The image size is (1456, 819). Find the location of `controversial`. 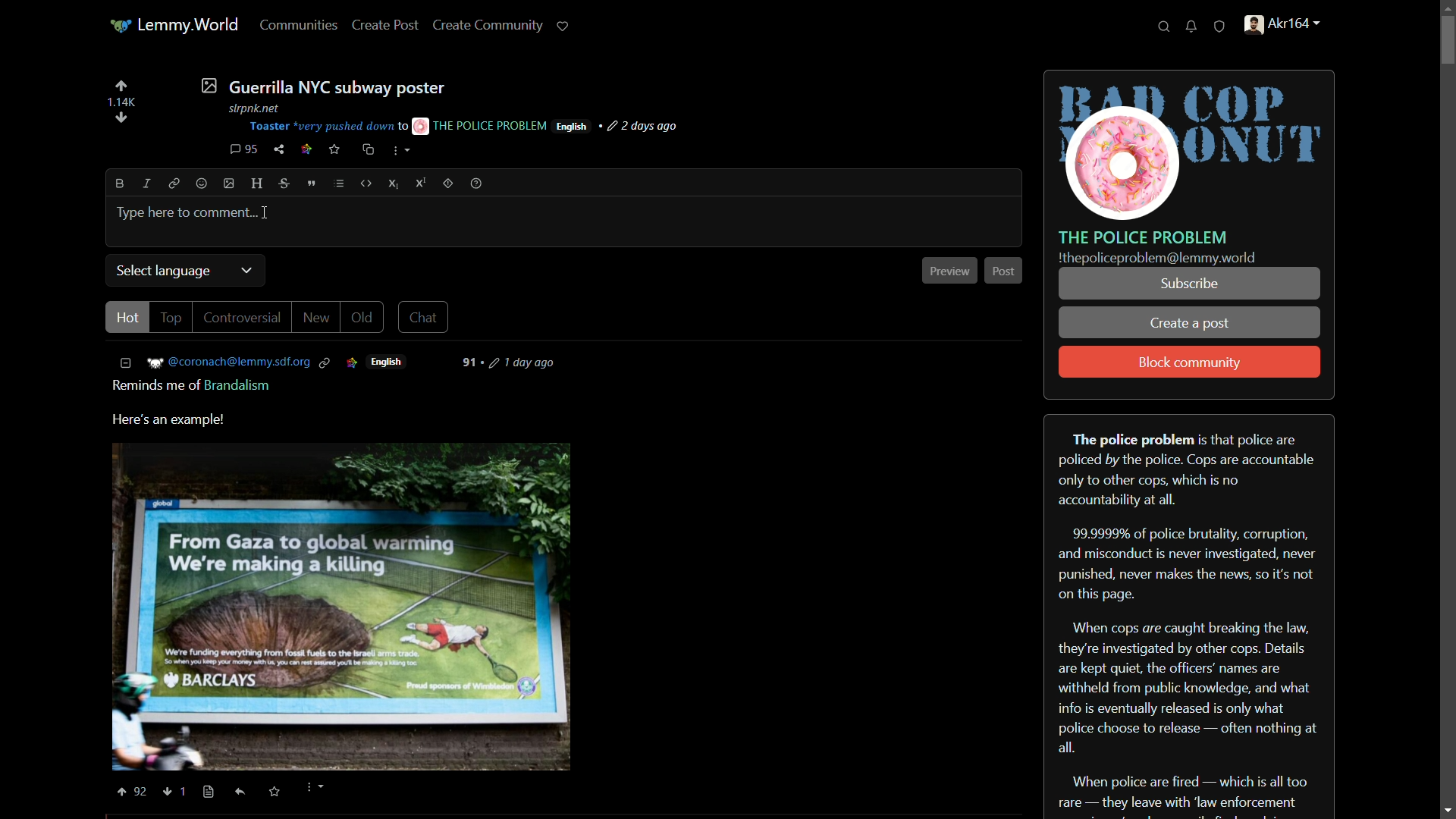

controversial is located at coordinates (240, 318).